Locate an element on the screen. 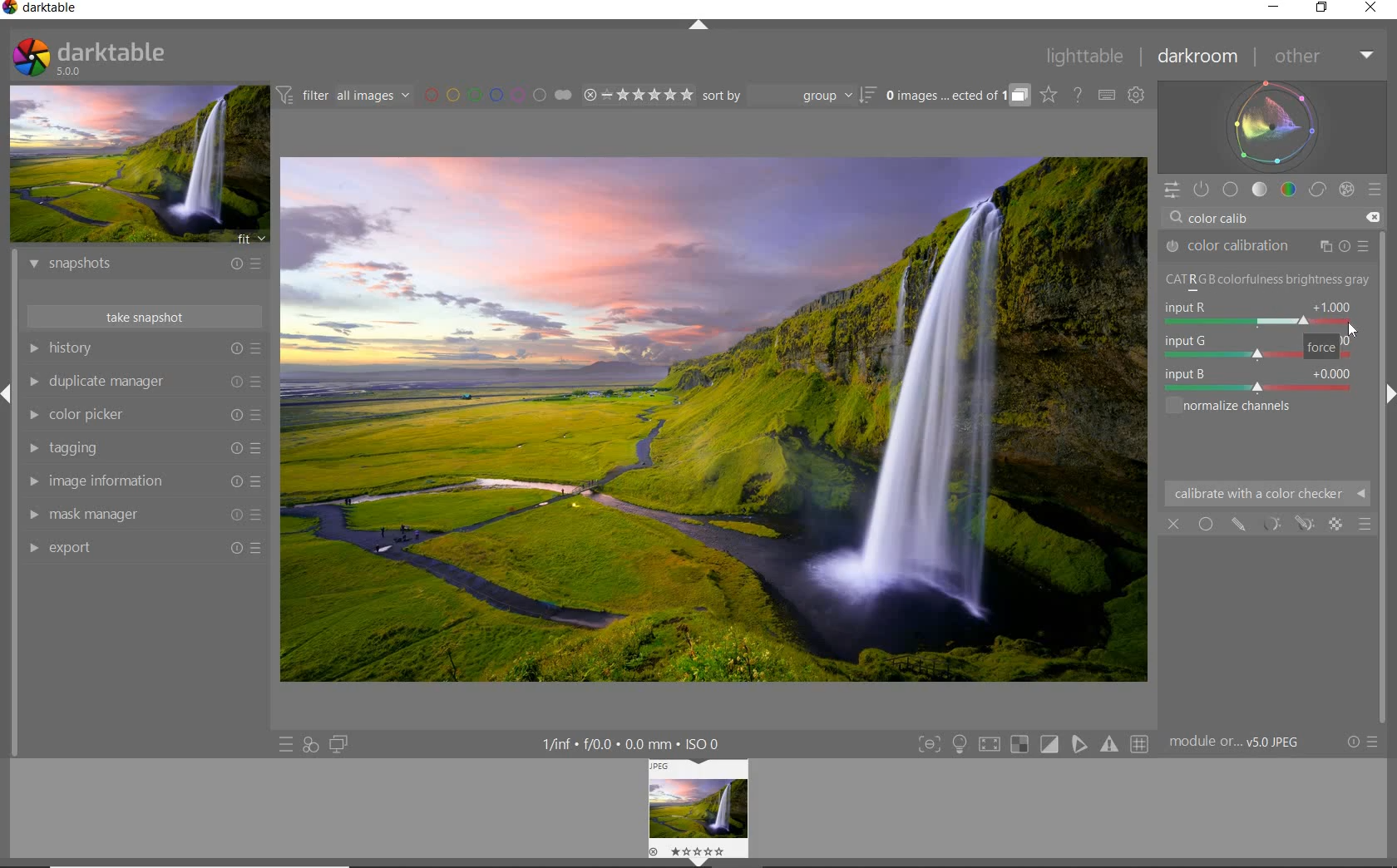 The image size is (1397, 868). correct is located at coordinates (1316, 189).